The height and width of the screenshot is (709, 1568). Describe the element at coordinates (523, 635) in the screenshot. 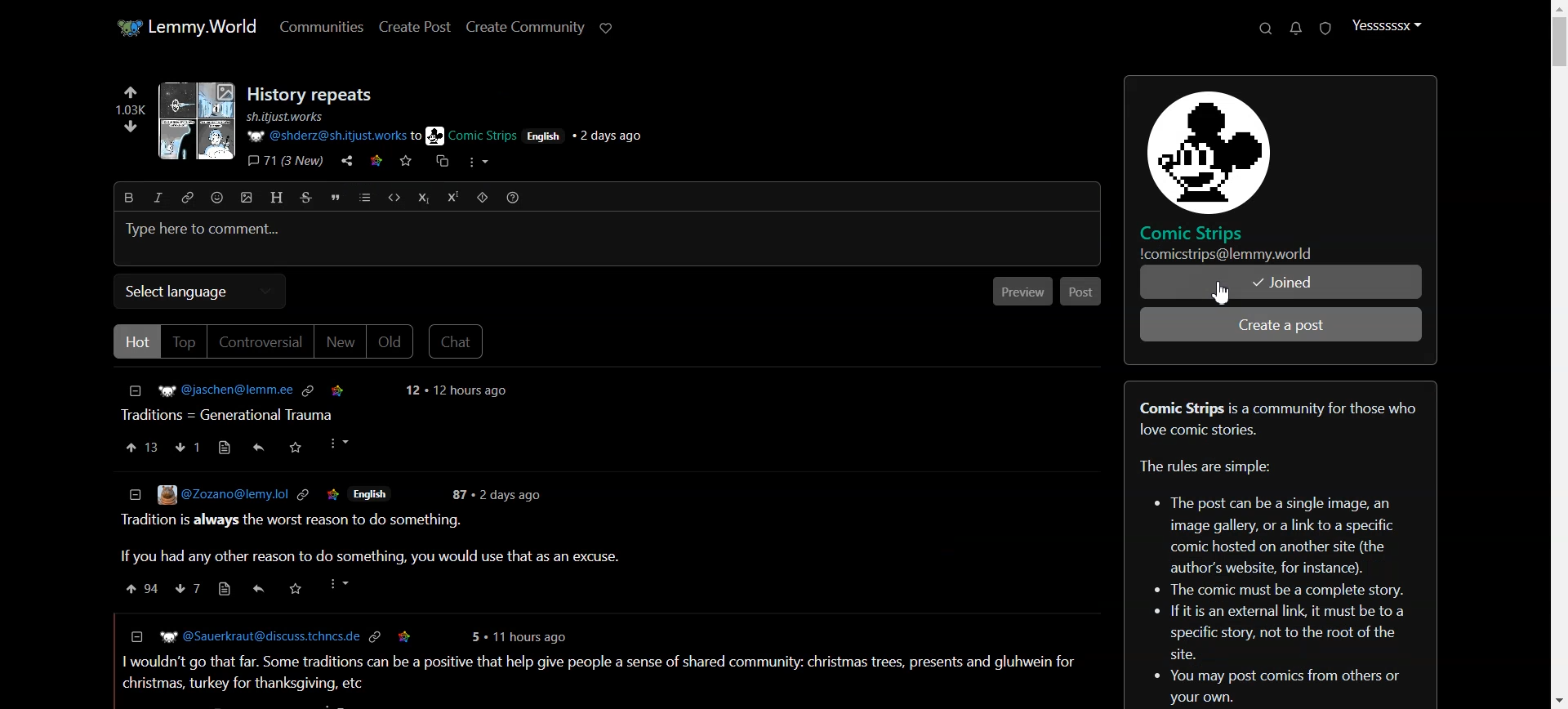

I see `5 « 11 hours ago` at that location.